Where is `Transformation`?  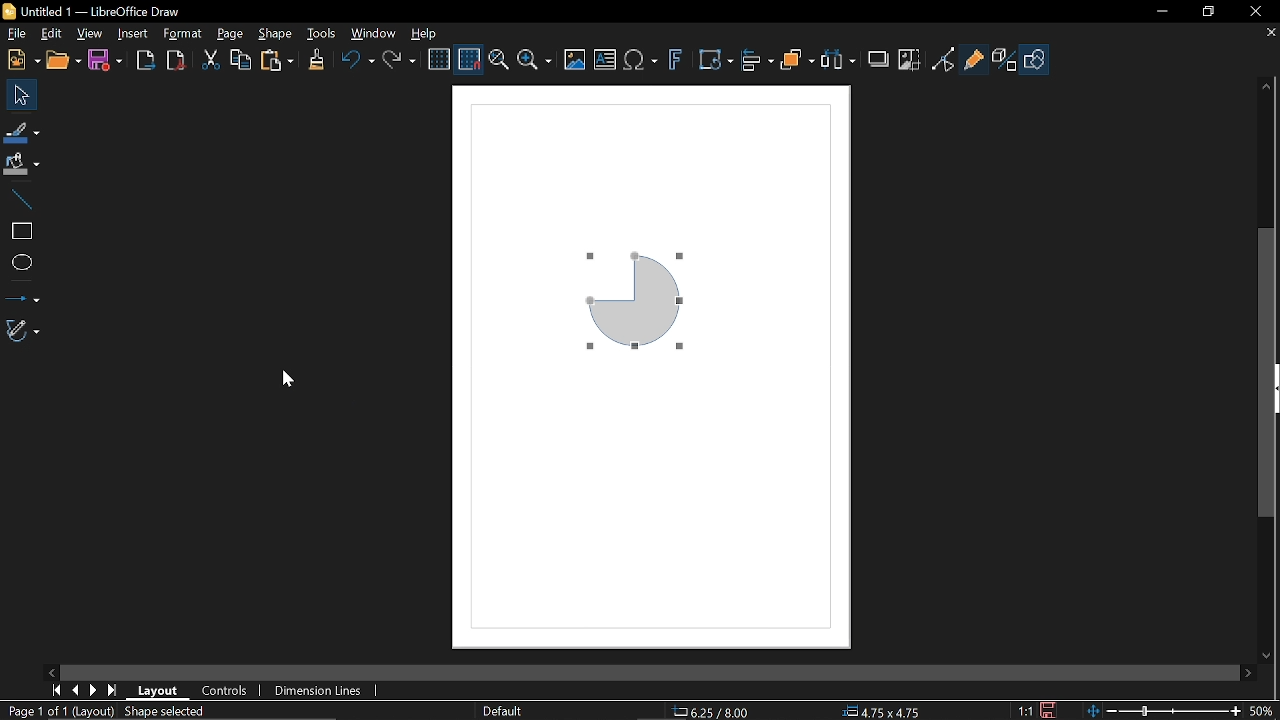
Transformation is located at coordinates (716, 60).